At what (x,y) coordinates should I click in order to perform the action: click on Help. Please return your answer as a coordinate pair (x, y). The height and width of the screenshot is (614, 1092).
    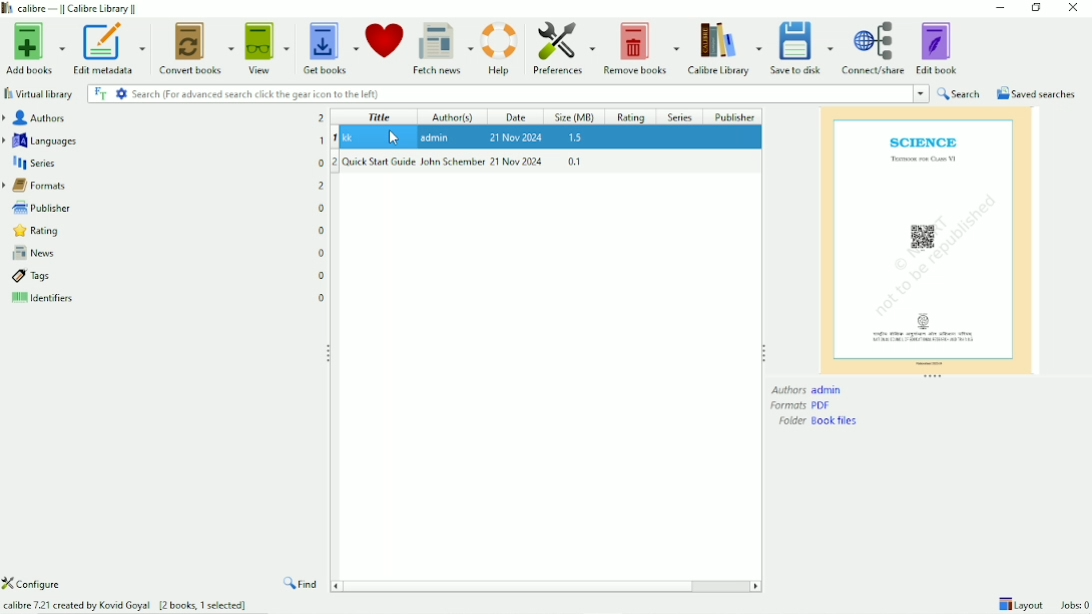
    Looking at the image, I should click on (500, 48).